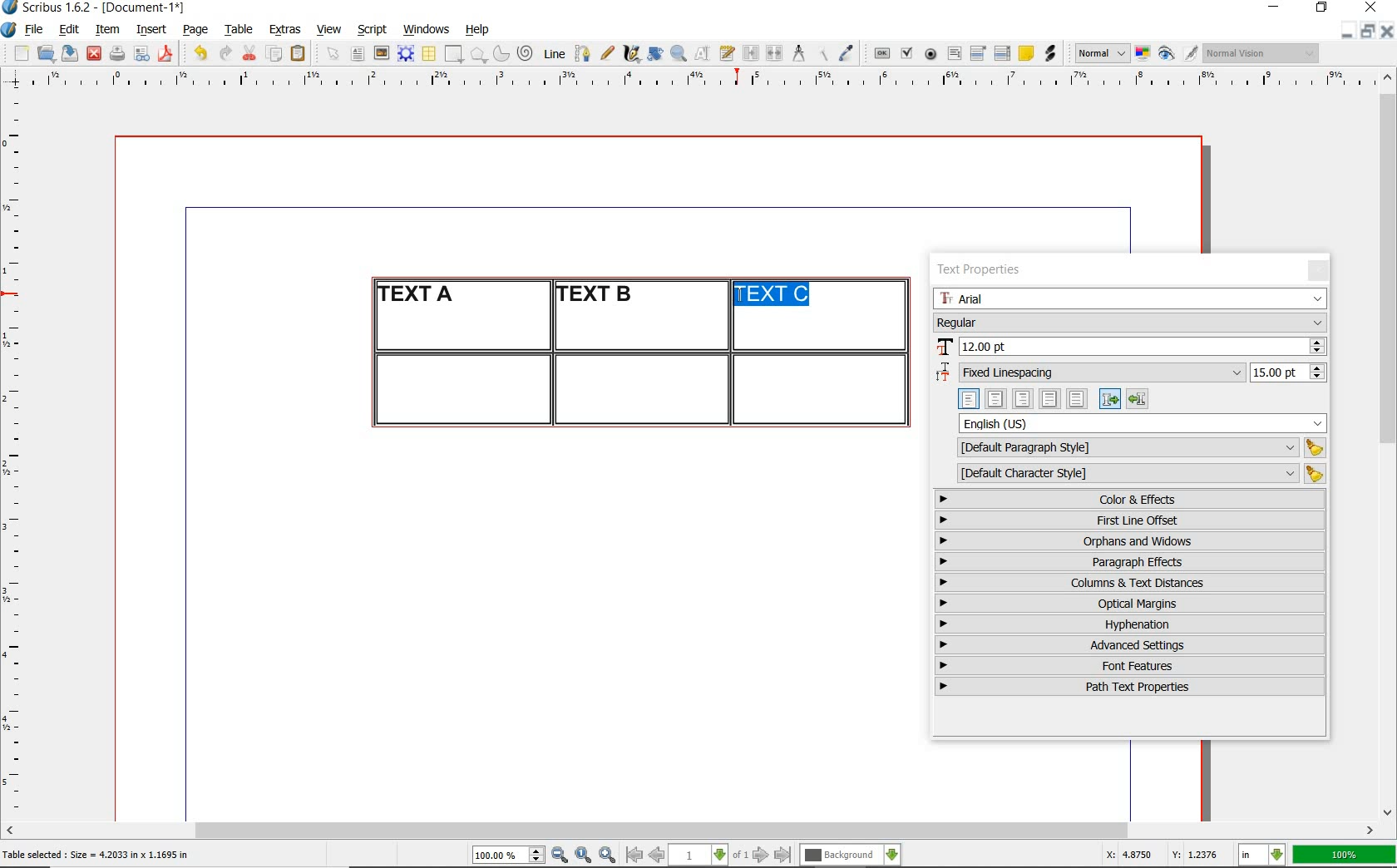 This screenshot has width=1397, height=868. I want to click on zoom in or zoom out, so click(679, 53).